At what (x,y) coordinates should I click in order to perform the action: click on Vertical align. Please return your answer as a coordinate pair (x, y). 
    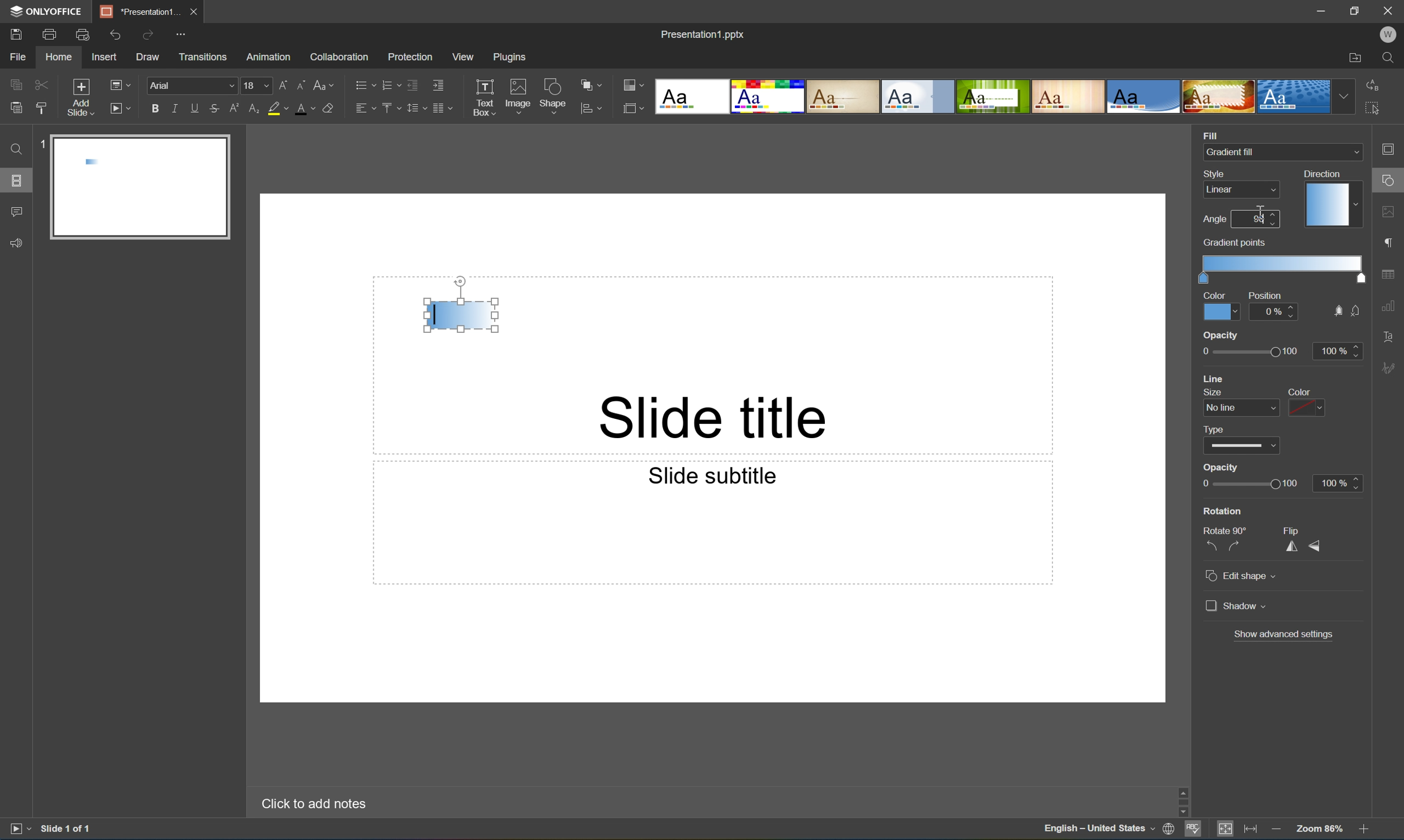
    Looking at the image, I should click on (389, 108).